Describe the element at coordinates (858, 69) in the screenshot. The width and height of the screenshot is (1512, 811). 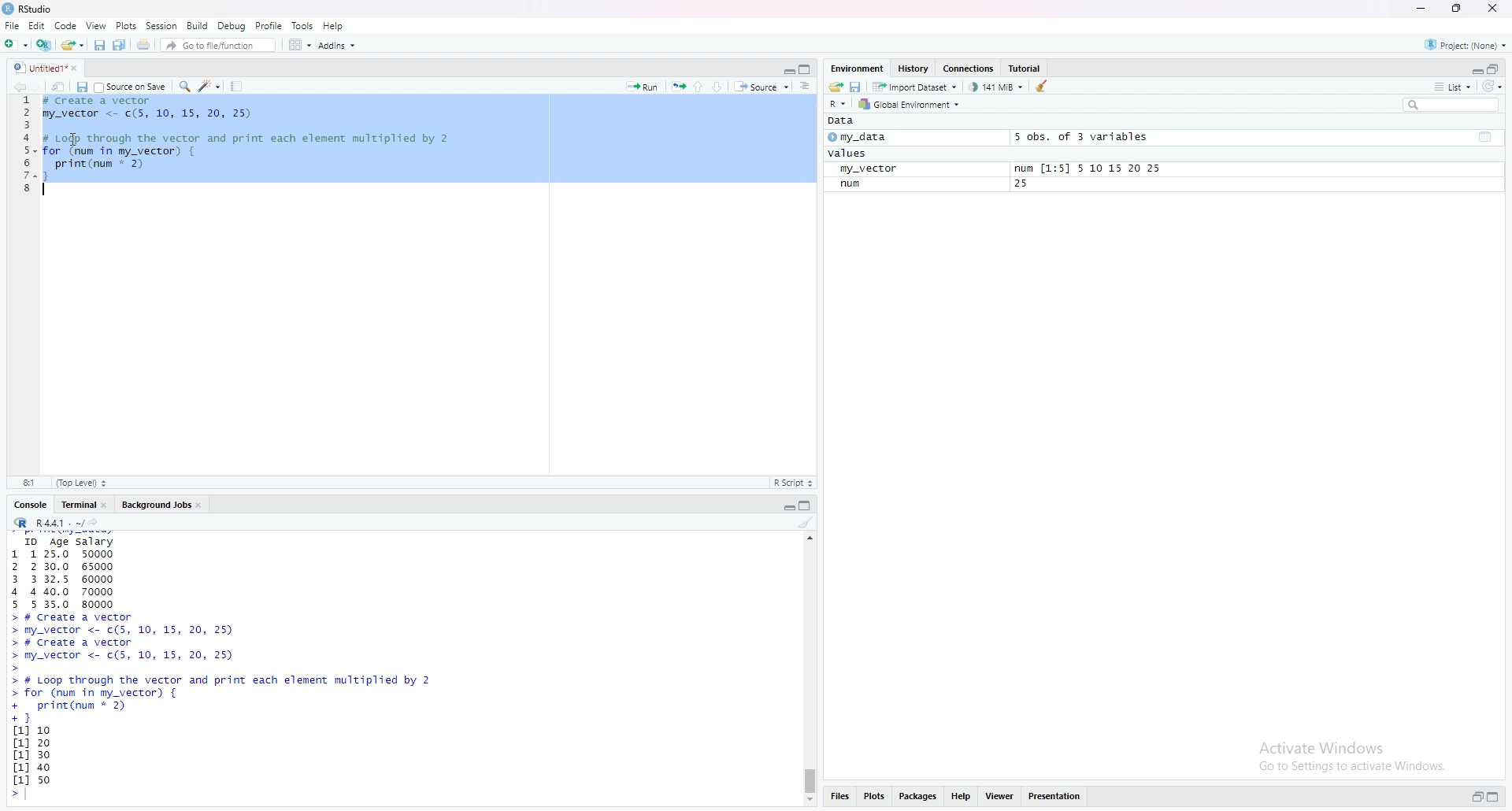
I see `Environment` at that location.